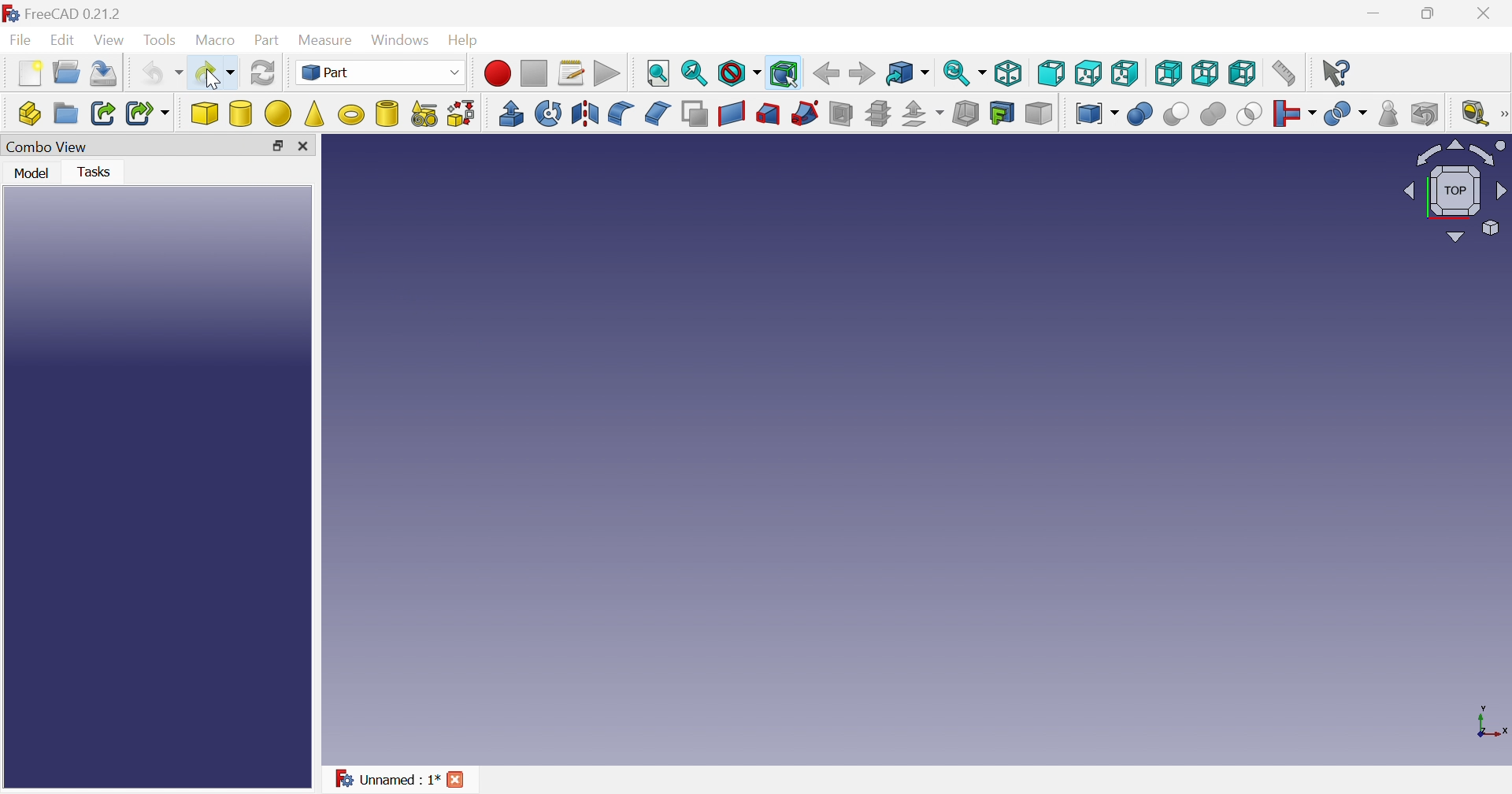 Image resolution: width=1512 pixels, height=794 pixels. Describe the element at coordinates (584, 113) in the screenshot. I see `Mirroring...` at that location.